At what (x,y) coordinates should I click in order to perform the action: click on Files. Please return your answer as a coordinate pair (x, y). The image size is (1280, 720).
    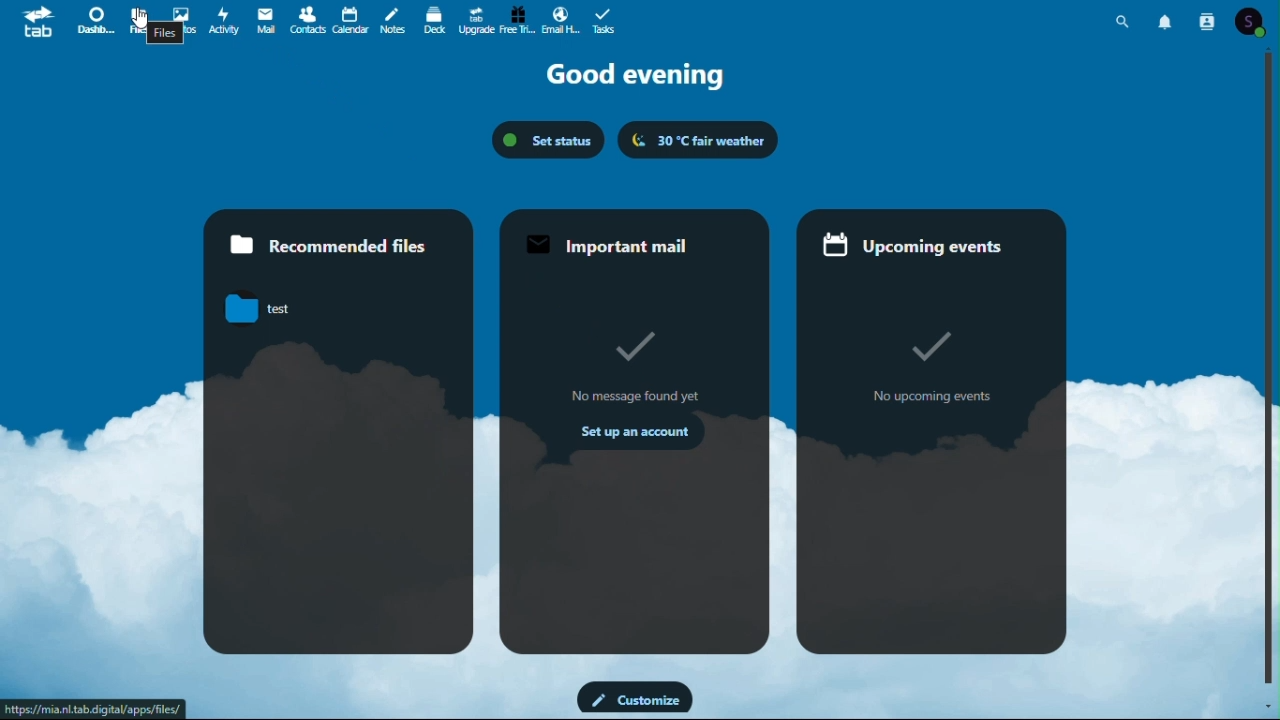
    Looking at the image, I should click on (138, 19).